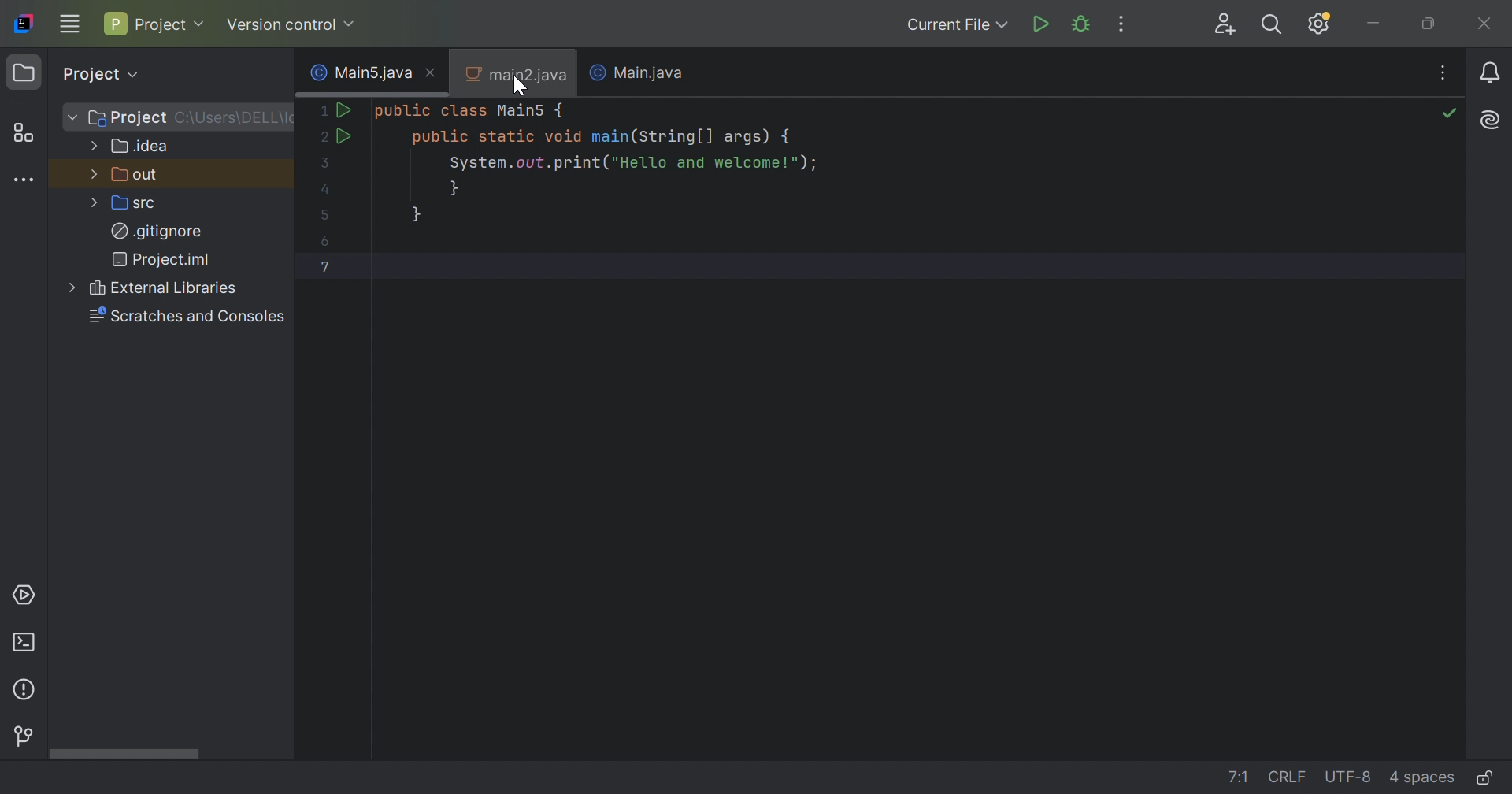  What do you see at coordinates (1450, 113) in the screenshot?
I see `No problems found` at bounding box center [1450, 113].